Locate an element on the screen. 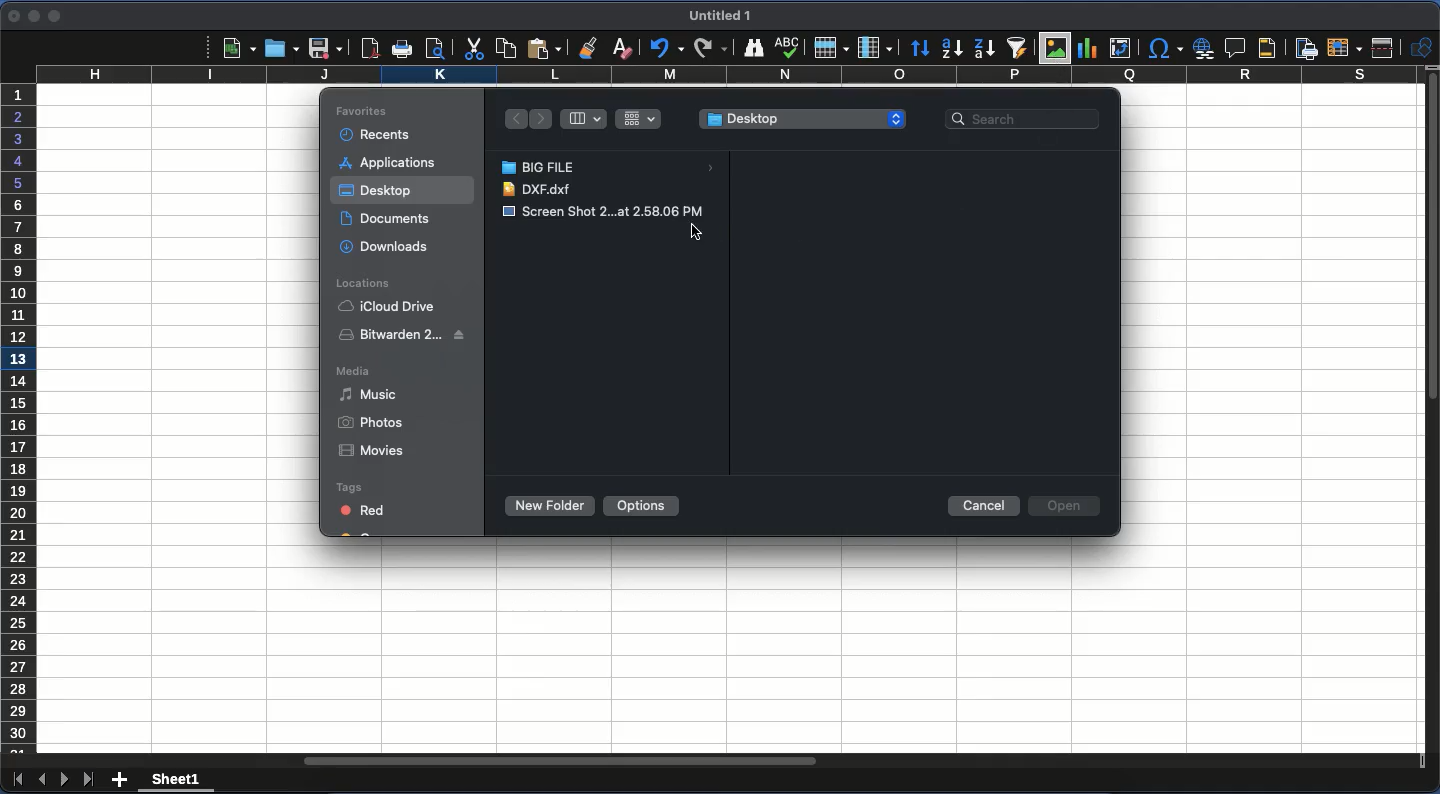 Image resolution: width=1440 pixels, height=794 pixels. pivot table is located at coordinates (1119, 48).